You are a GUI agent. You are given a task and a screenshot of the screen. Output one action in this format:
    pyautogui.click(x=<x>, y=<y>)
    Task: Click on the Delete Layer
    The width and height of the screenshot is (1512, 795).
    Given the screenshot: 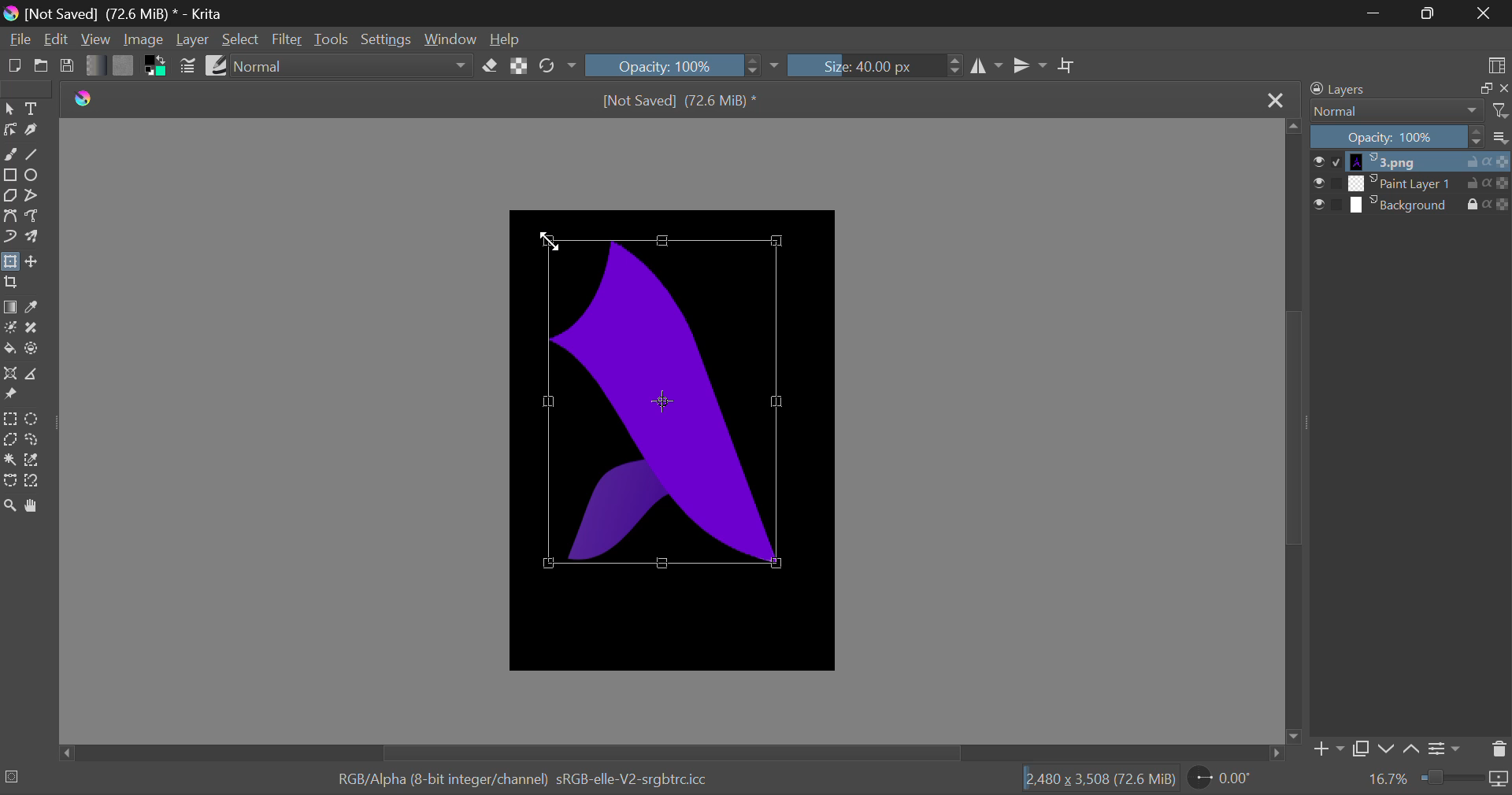 What is the action you would take?
    pyautogui.click(x=1495, y=749)
    